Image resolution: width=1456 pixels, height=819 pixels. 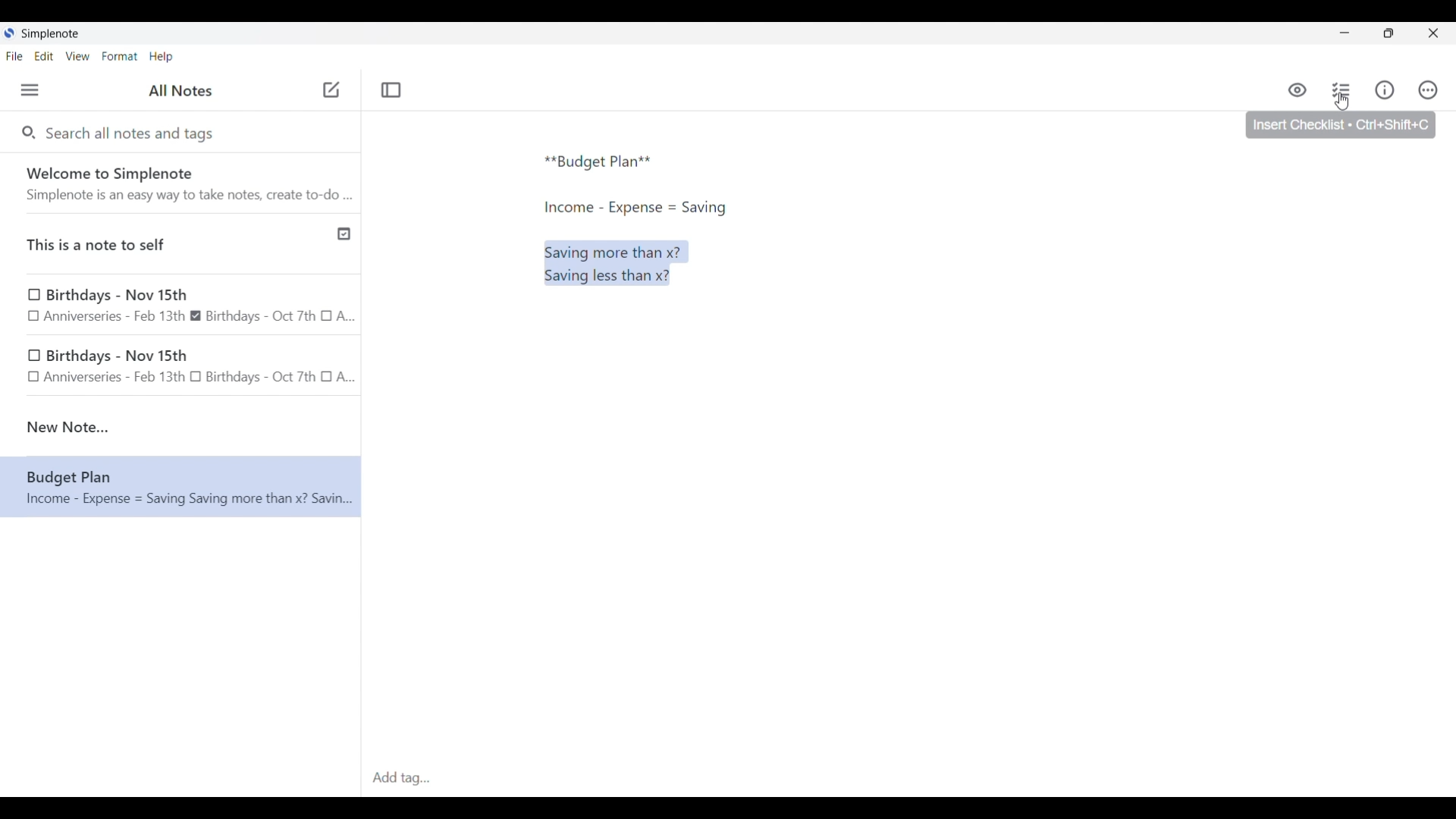 I want to click on birthday note, so click(x=182, y=369).